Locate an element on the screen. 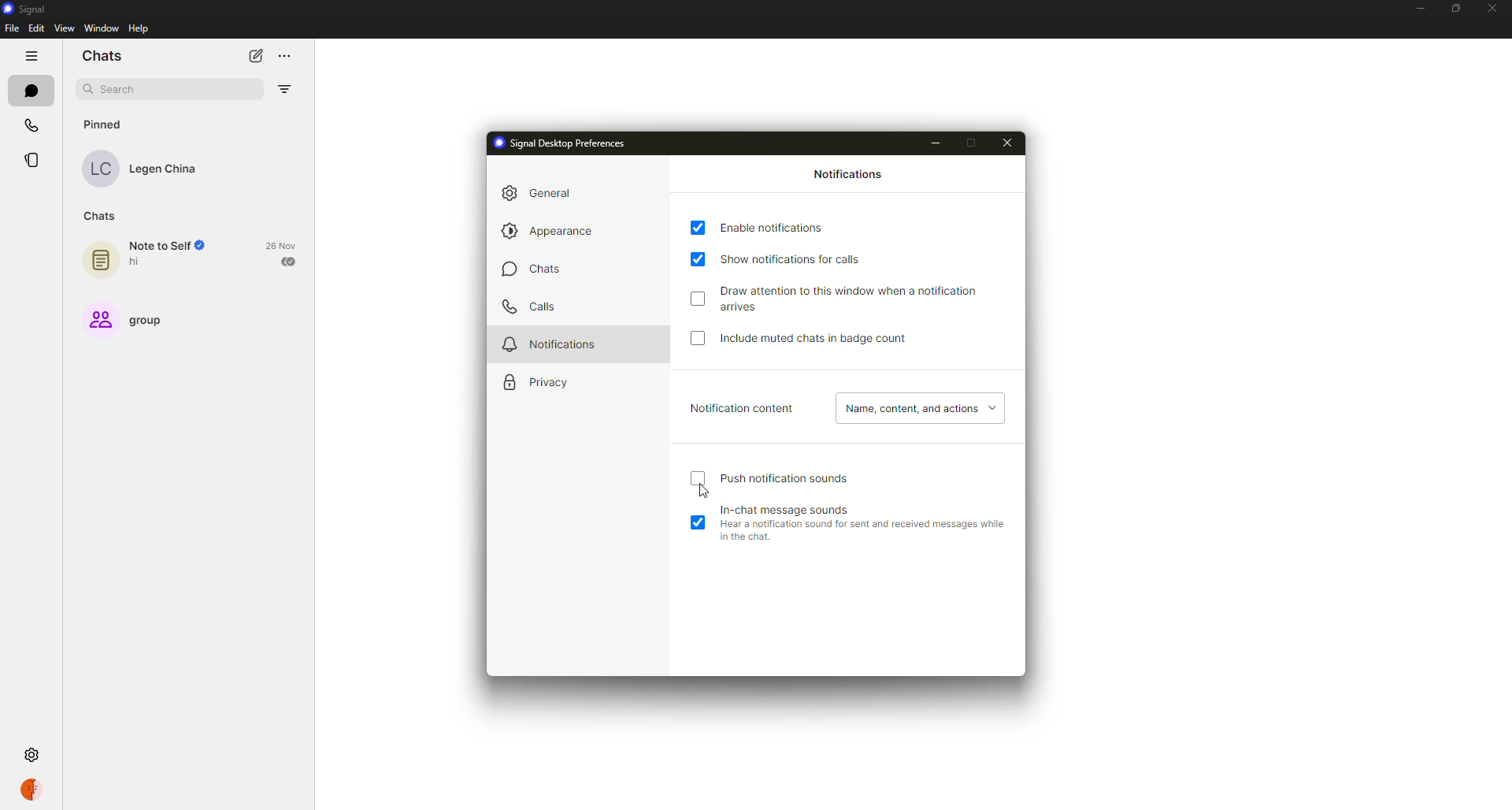 This screenshot has width=1512, height=810. name, content, actions is located at coordinates (917, 408).